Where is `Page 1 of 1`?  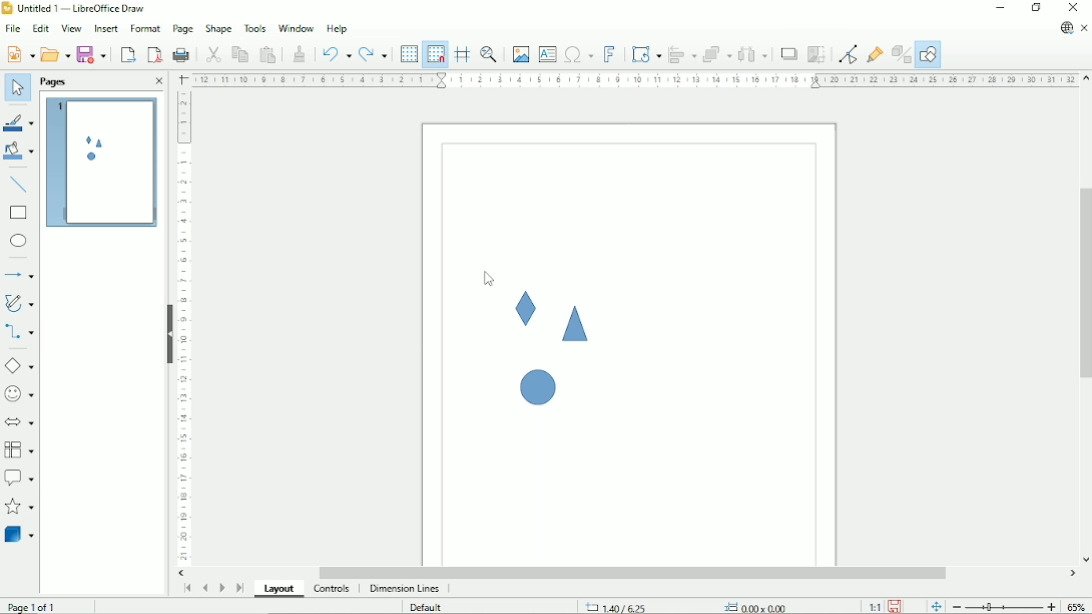
Page 1 of 1 is located at coordinates (32, 607).